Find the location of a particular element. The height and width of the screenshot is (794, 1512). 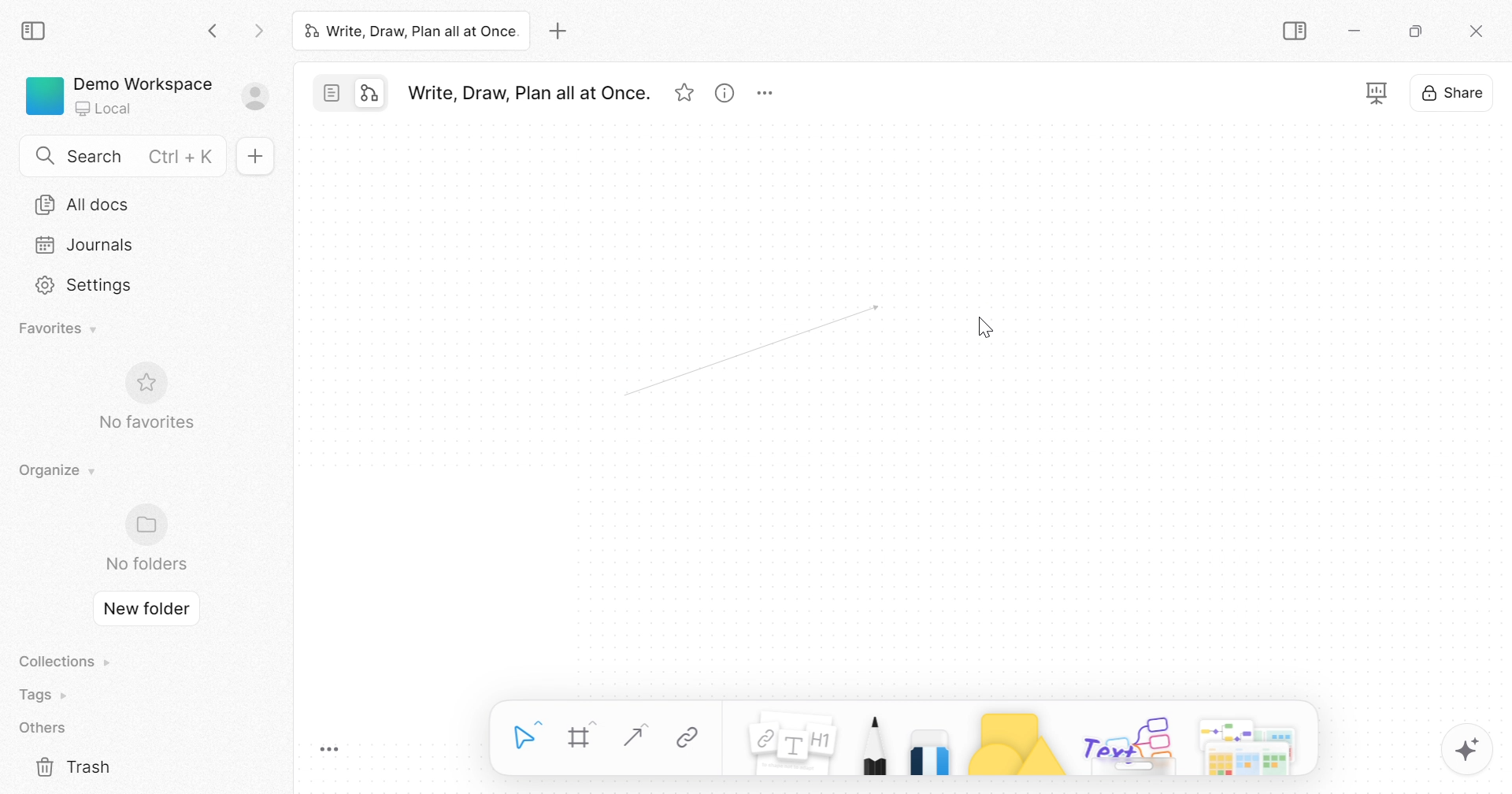

Trash is located at coordinates (76, 768).